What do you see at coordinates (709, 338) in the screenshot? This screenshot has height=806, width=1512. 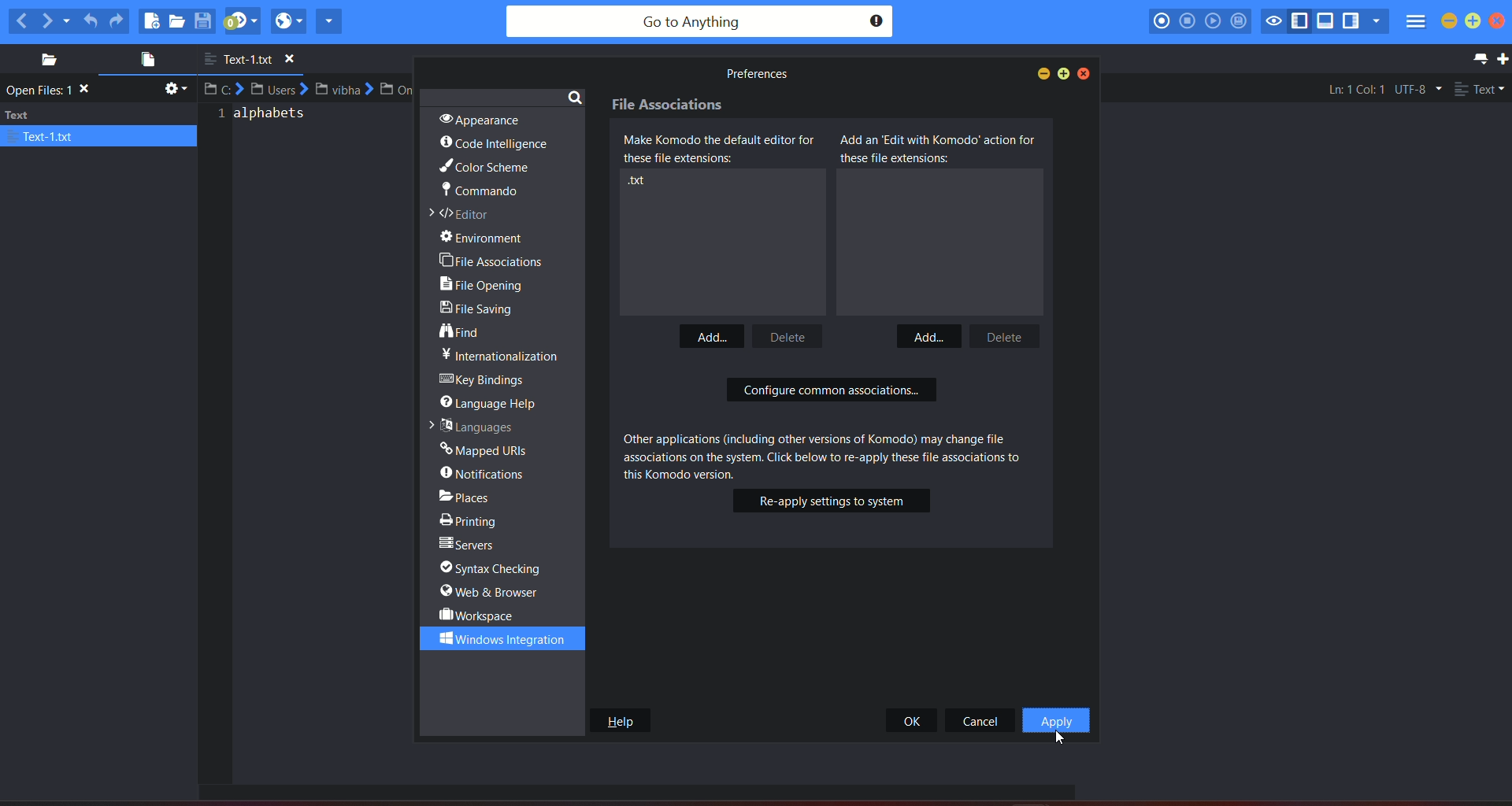 I see `Add` at bounding box center [709, 338].